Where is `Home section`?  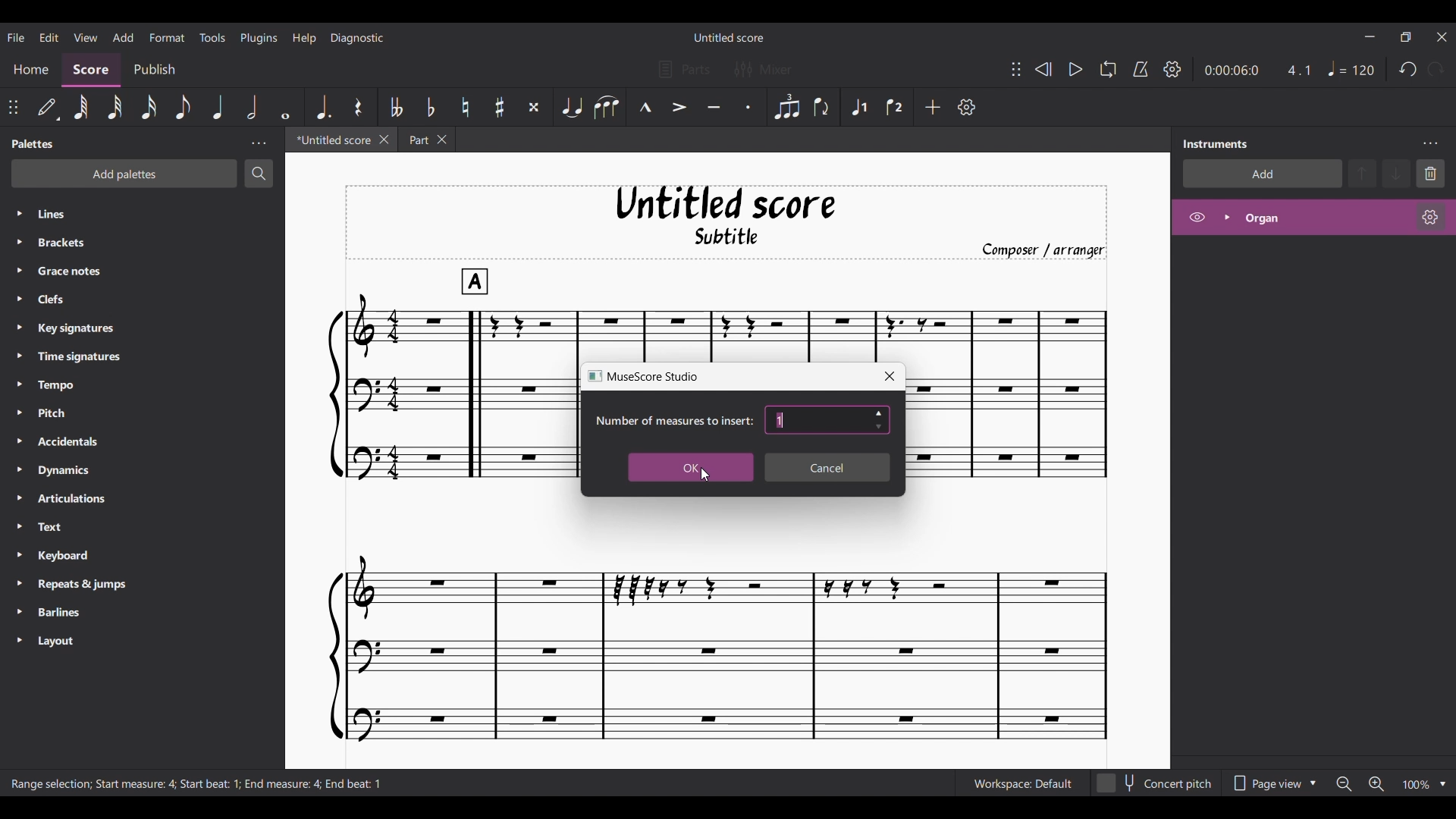 Home section is located at coordinates (30, 69).